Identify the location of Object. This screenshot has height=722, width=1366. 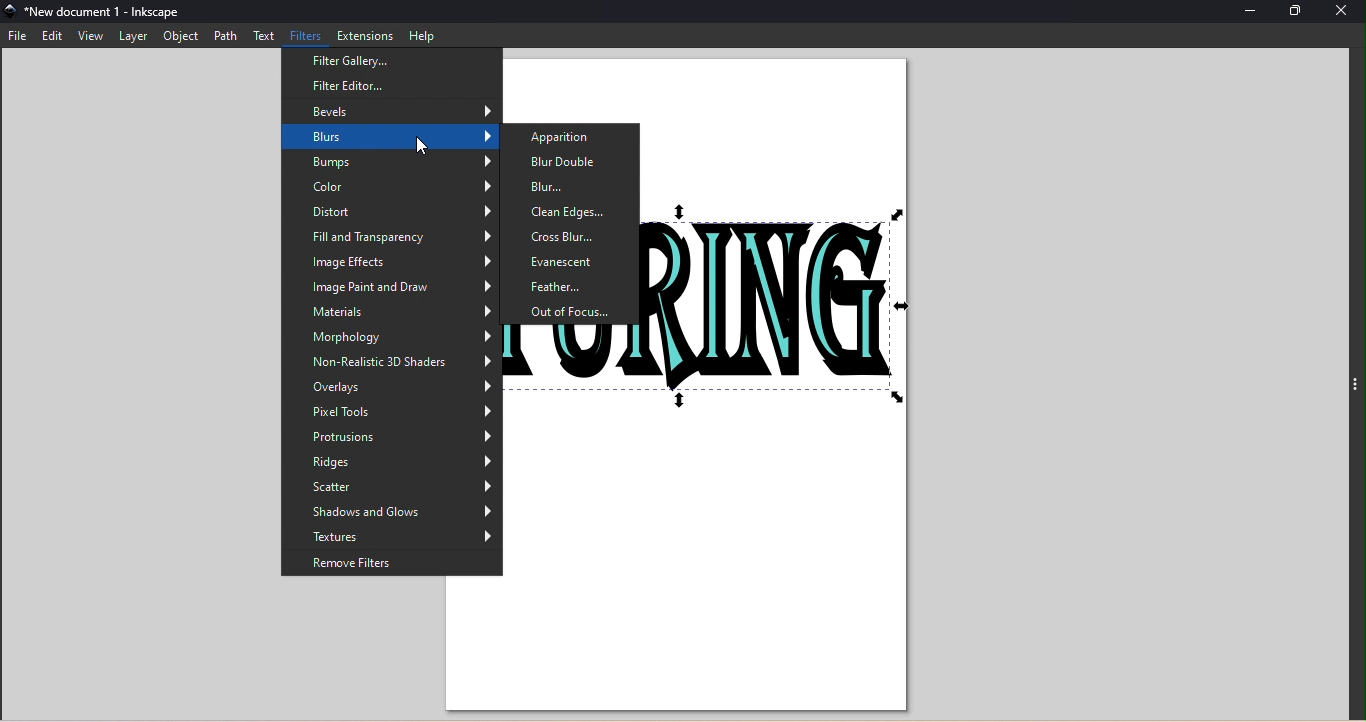
(176, 37).